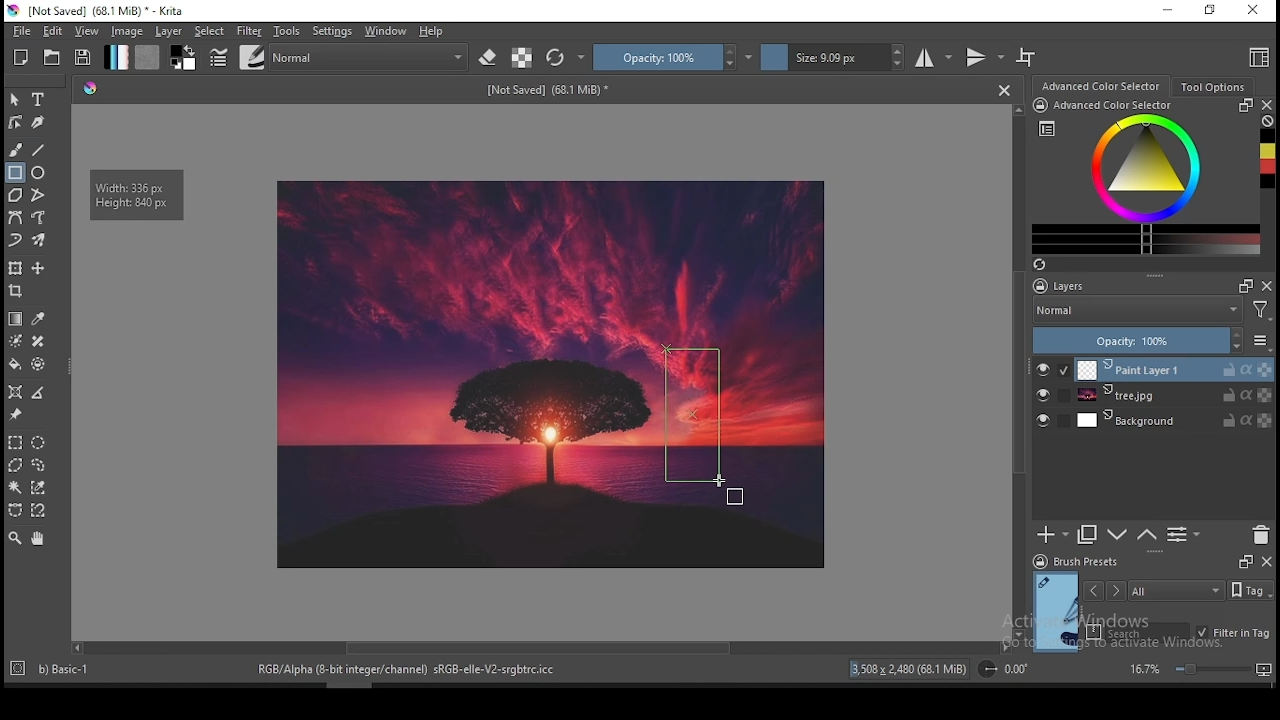 Image resolution: width=1280 pixels, height=720 pixels. Describe the element at coordinates (217, 56) in the screenshot. I see `brush settings` at that location.